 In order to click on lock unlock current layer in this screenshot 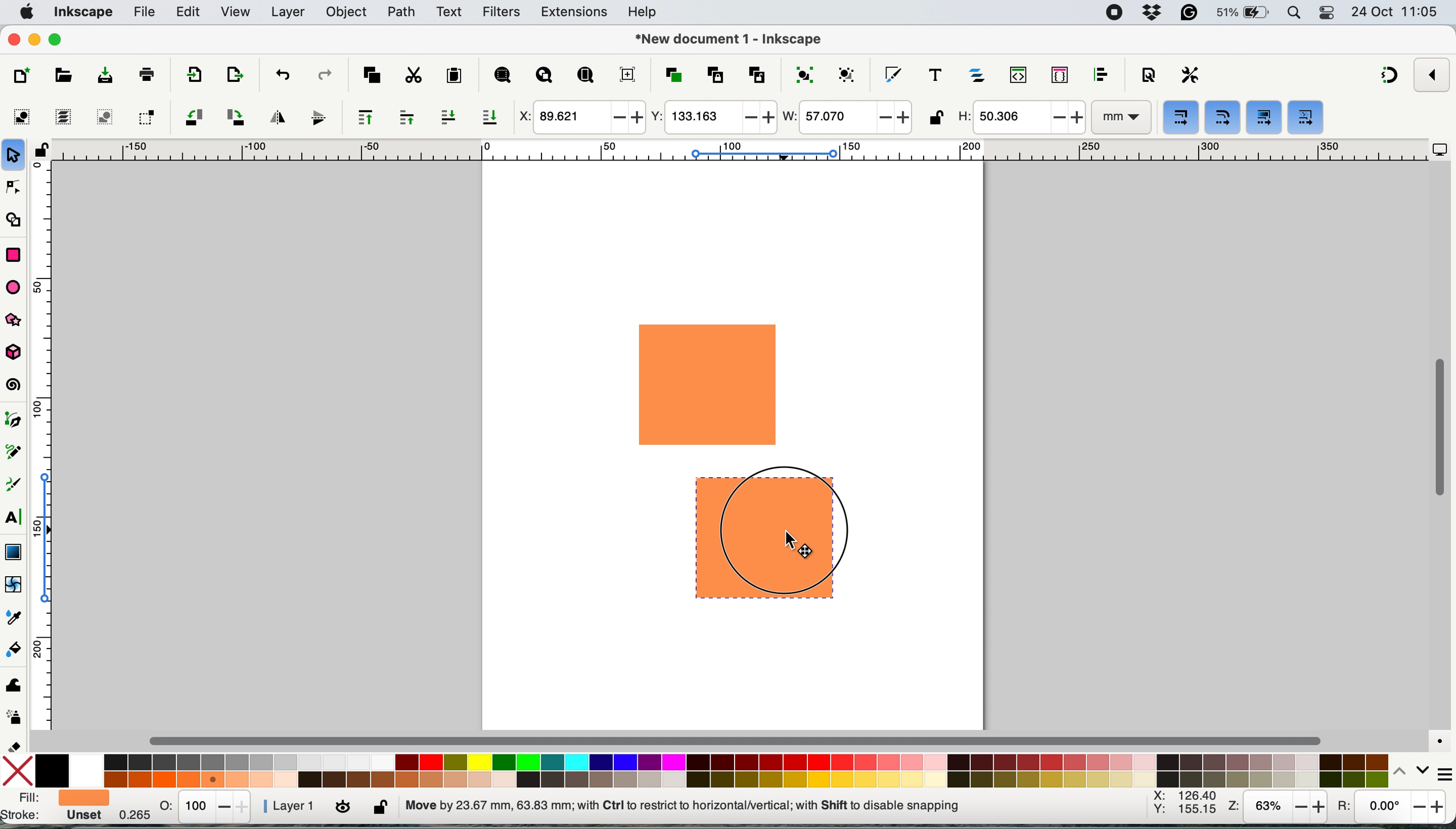, I will do `click(383, 810)`.